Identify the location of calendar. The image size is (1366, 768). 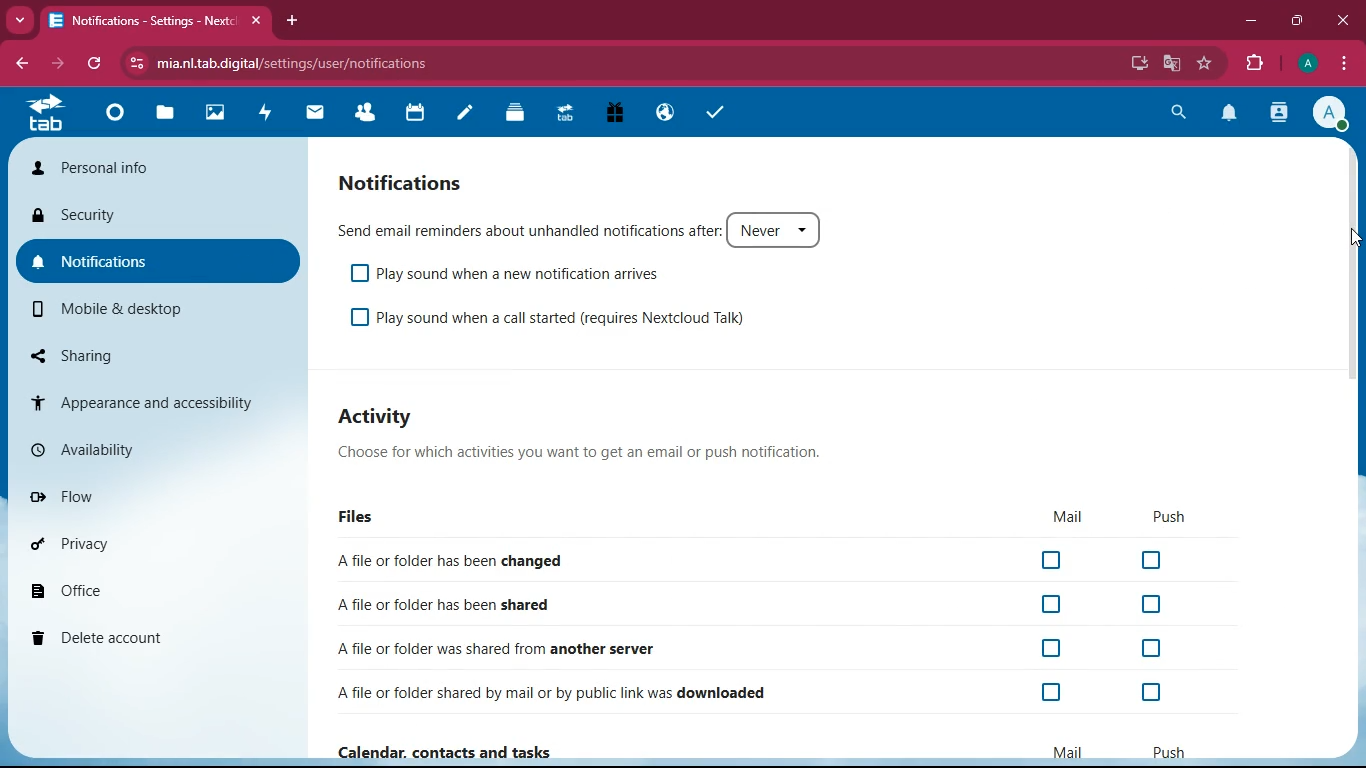
(419, 114).